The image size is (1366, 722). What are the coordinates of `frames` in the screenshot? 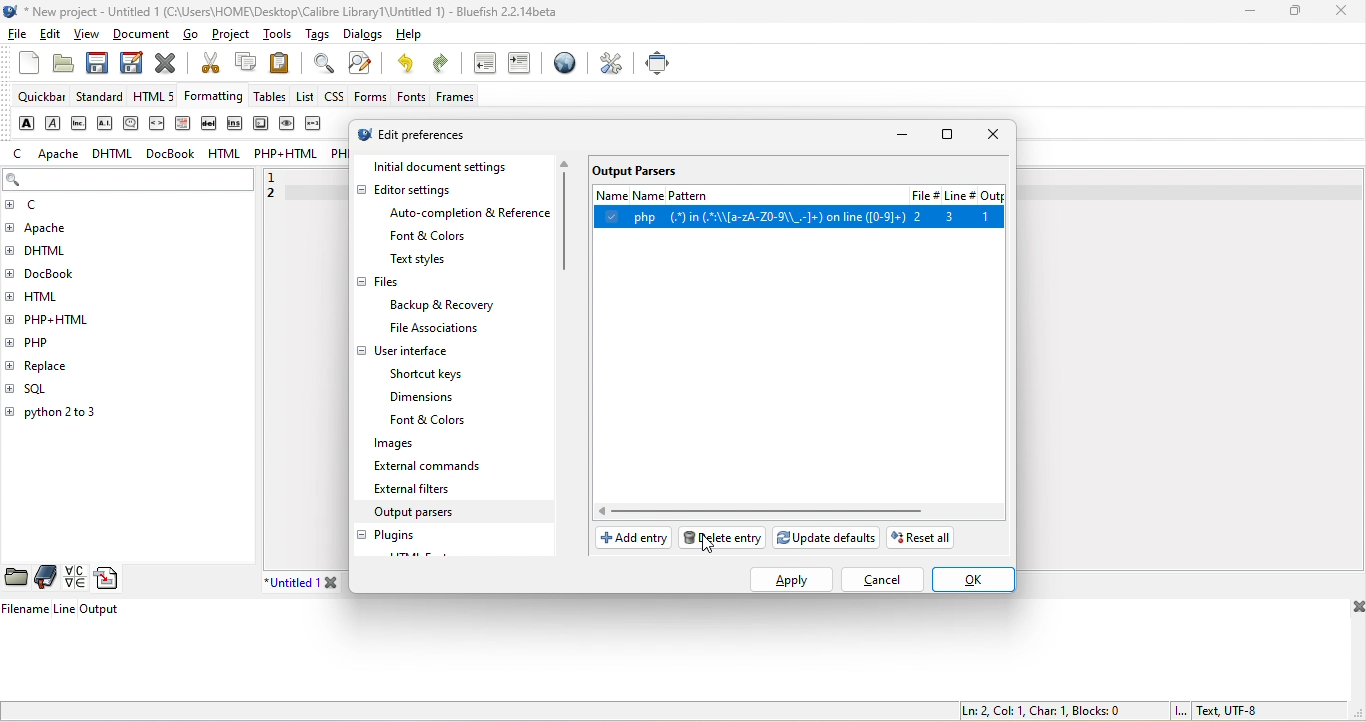 It's located at (456, 98).